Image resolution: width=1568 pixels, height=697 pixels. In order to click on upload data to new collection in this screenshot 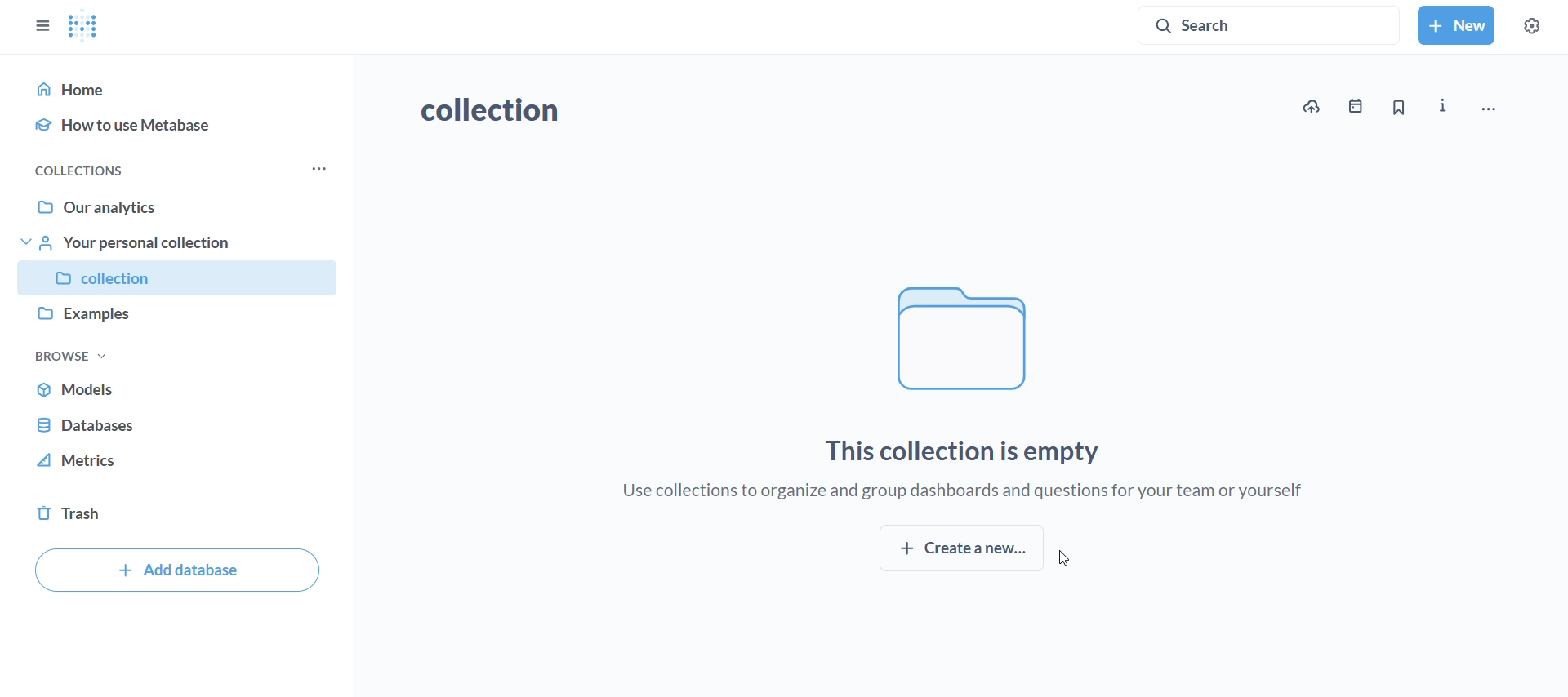, I will do `click(1312, 104)`.